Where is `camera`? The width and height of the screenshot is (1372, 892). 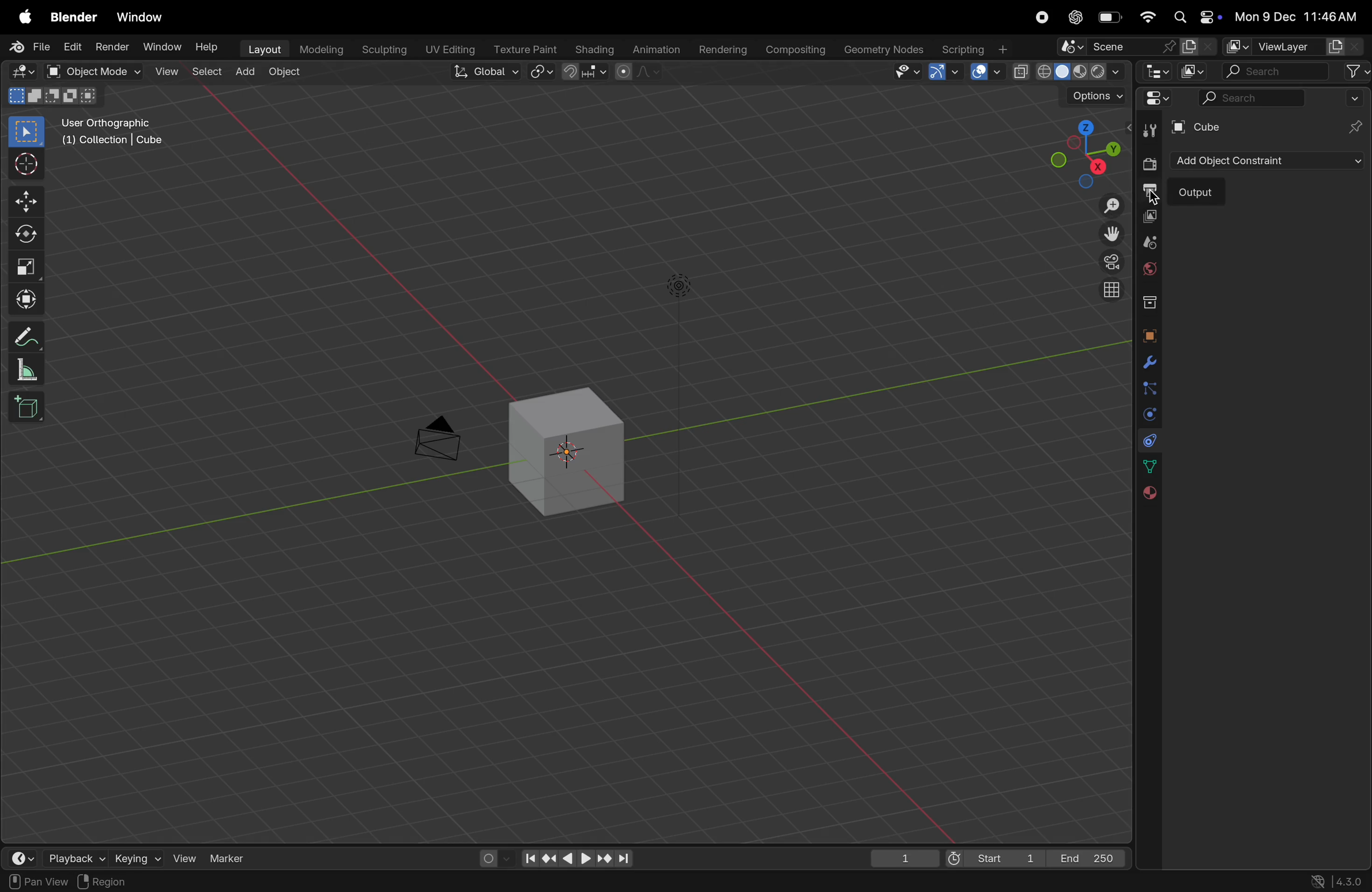
camera is located at coordinates (444, 434).